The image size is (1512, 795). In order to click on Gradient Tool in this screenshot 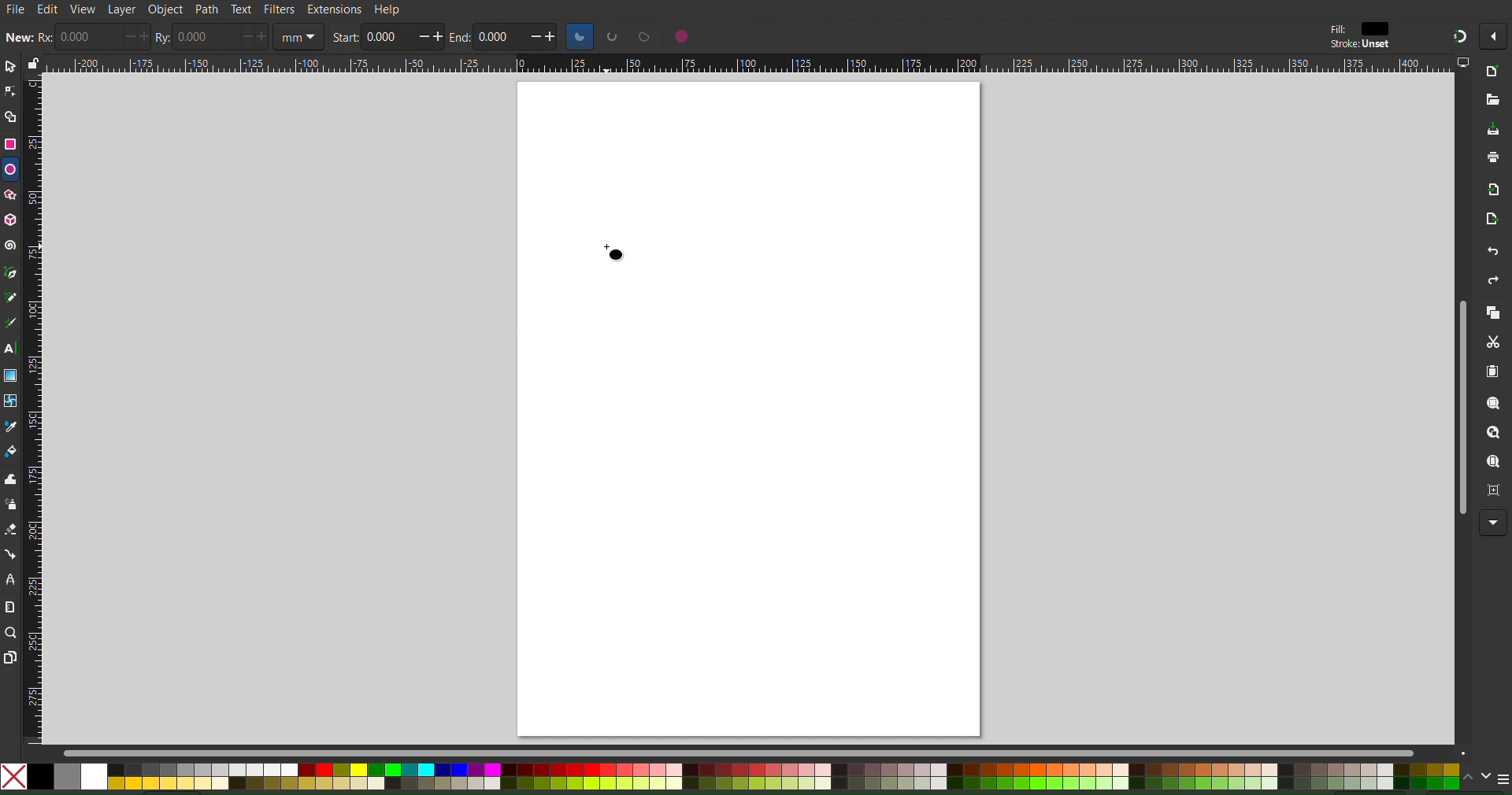, I will do `click(10, 375)`.